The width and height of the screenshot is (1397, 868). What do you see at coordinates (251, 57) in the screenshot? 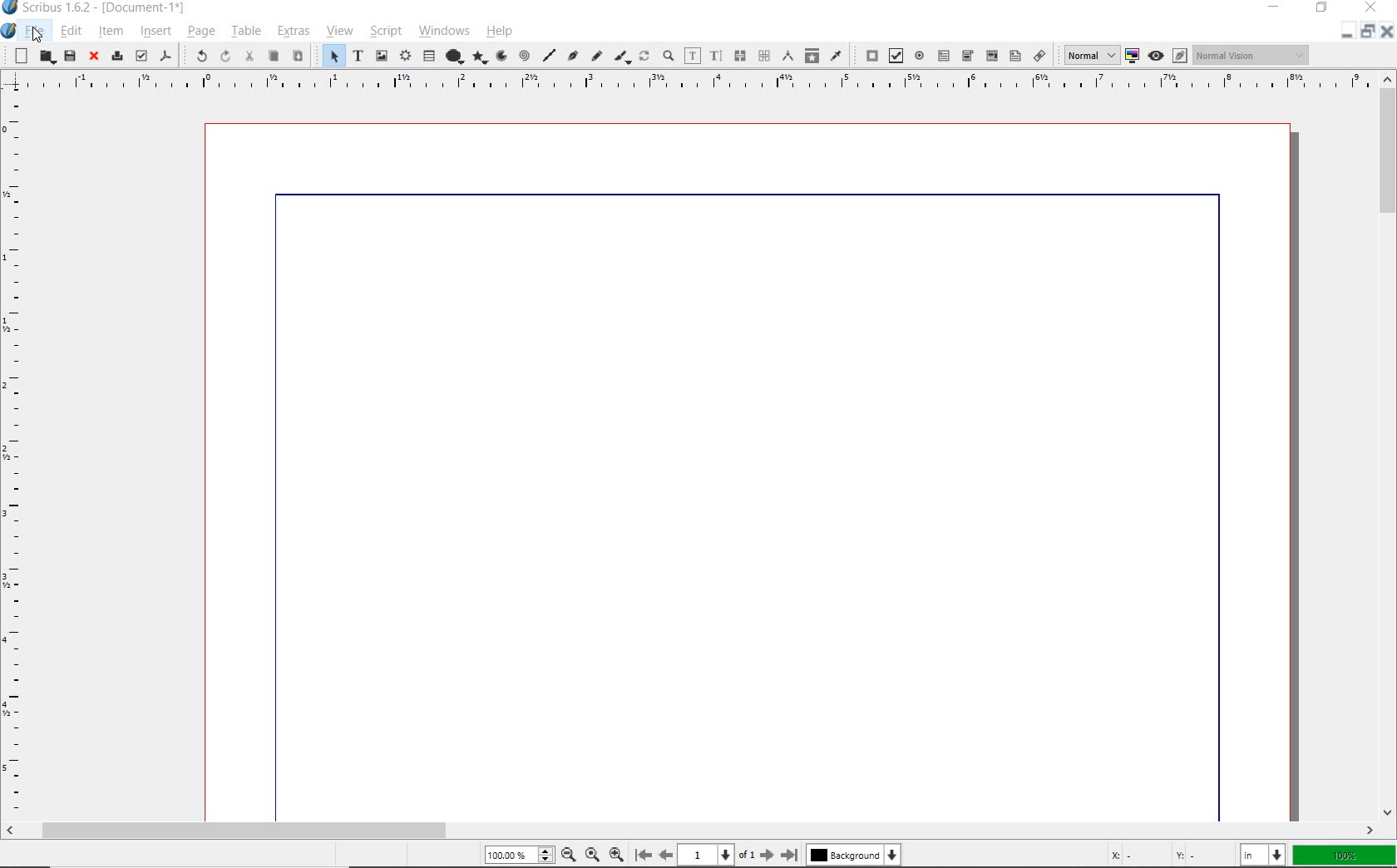
I see `cut` at bounding box center [251, 57].